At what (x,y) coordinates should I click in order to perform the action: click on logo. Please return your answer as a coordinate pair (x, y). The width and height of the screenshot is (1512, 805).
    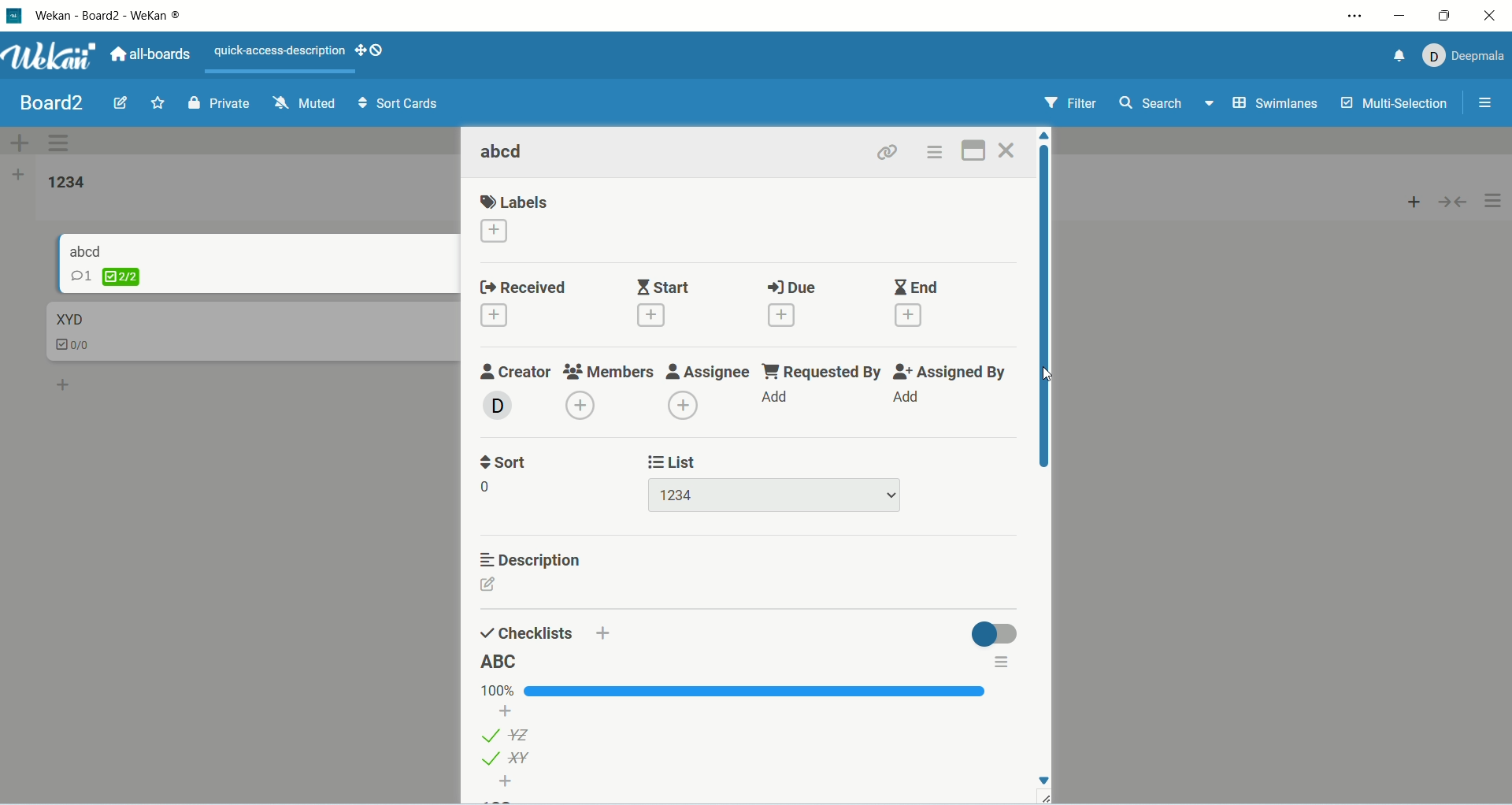
    Looking at the image, I should click on (13, 17).